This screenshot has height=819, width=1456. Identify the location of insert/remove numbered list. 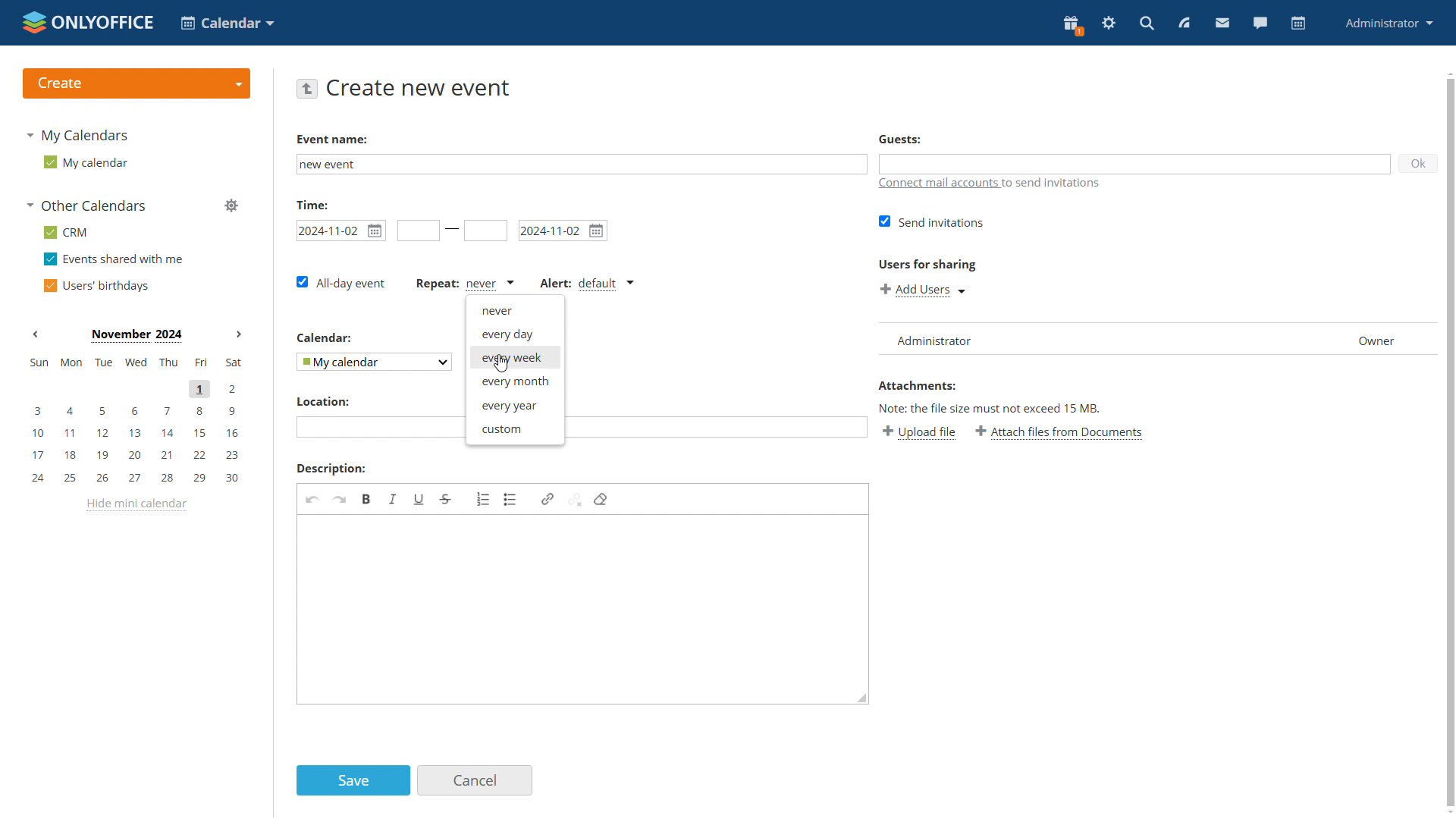
(483, 497).